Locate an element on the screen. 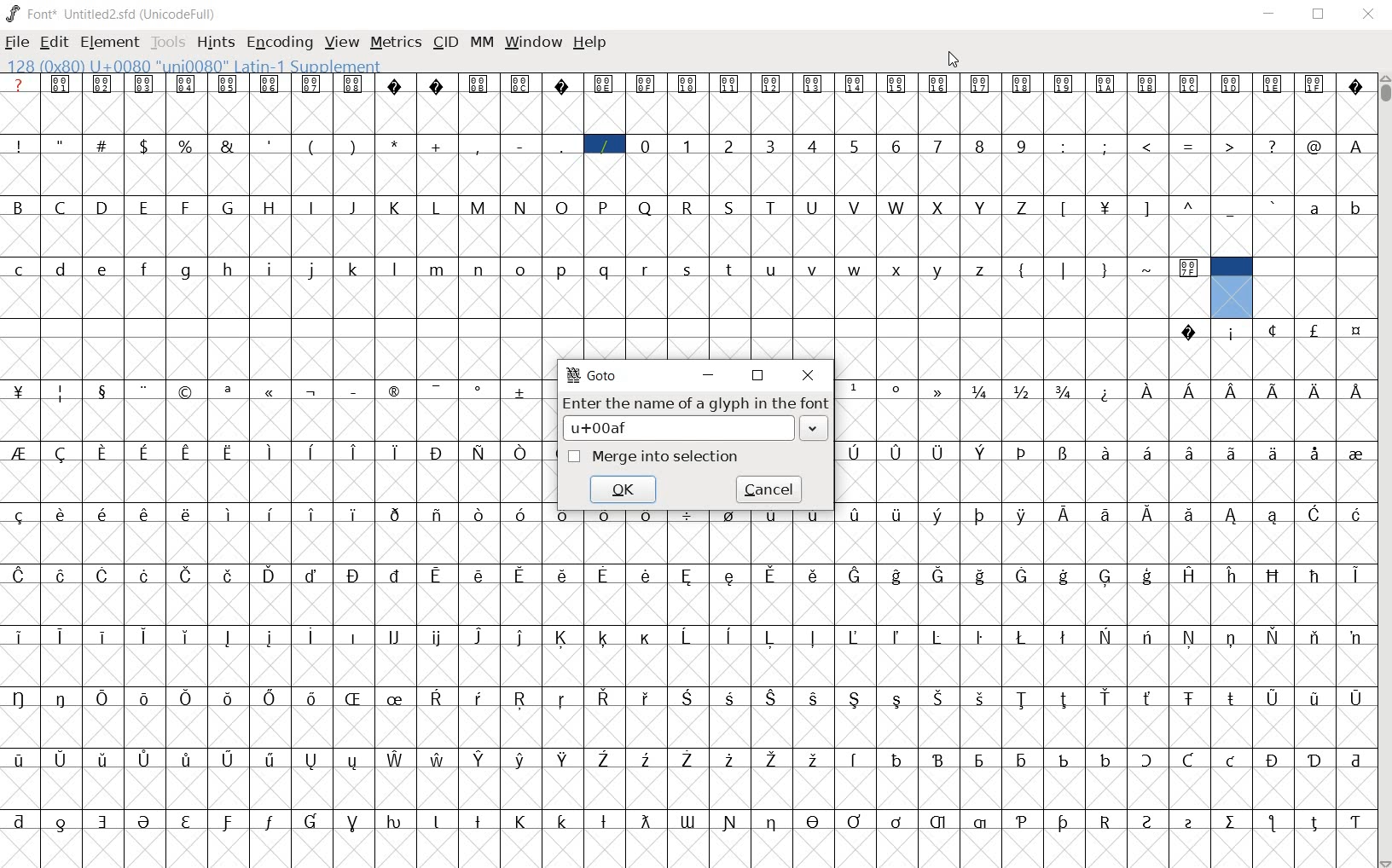 Image resolution: width=1392 pixels, height=868 pixels. Symbol is located at coordinates (1273, 823).